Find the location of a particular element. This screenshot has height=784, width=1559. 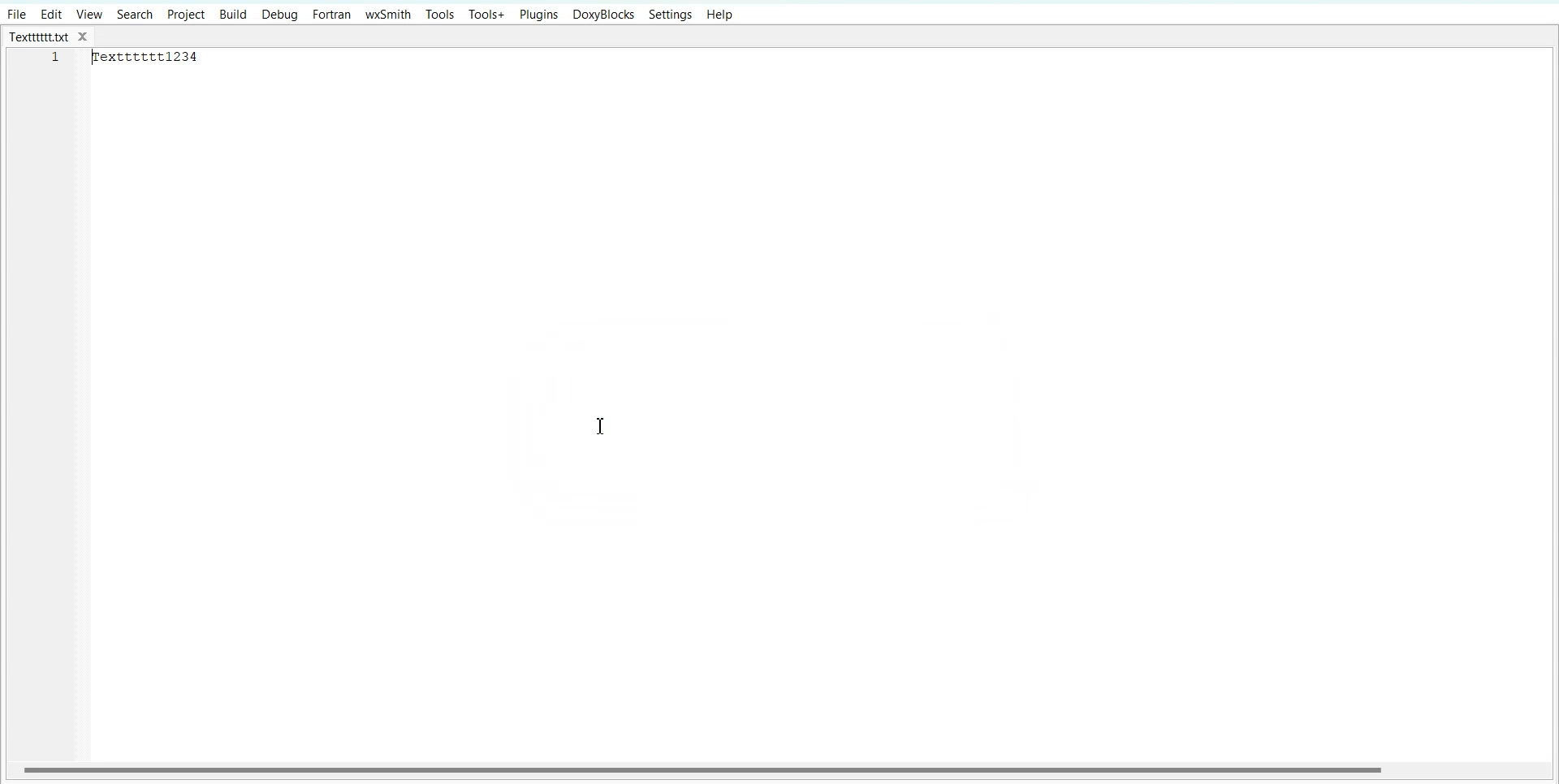

Settings is located at coordinates (671, 15).